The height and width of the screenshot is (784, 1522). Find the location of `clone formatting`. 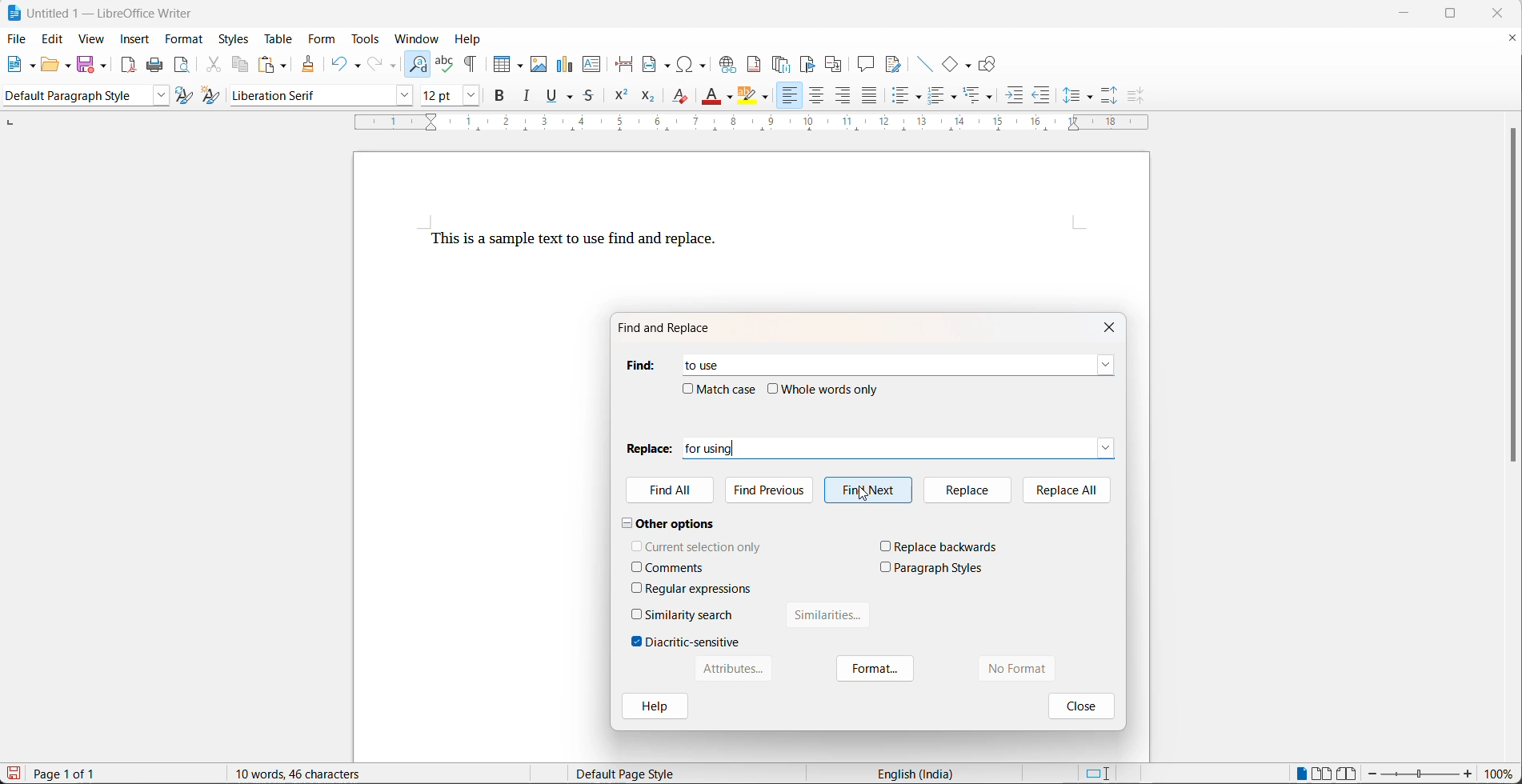

clone formatting is located at coordinates (310, 65).